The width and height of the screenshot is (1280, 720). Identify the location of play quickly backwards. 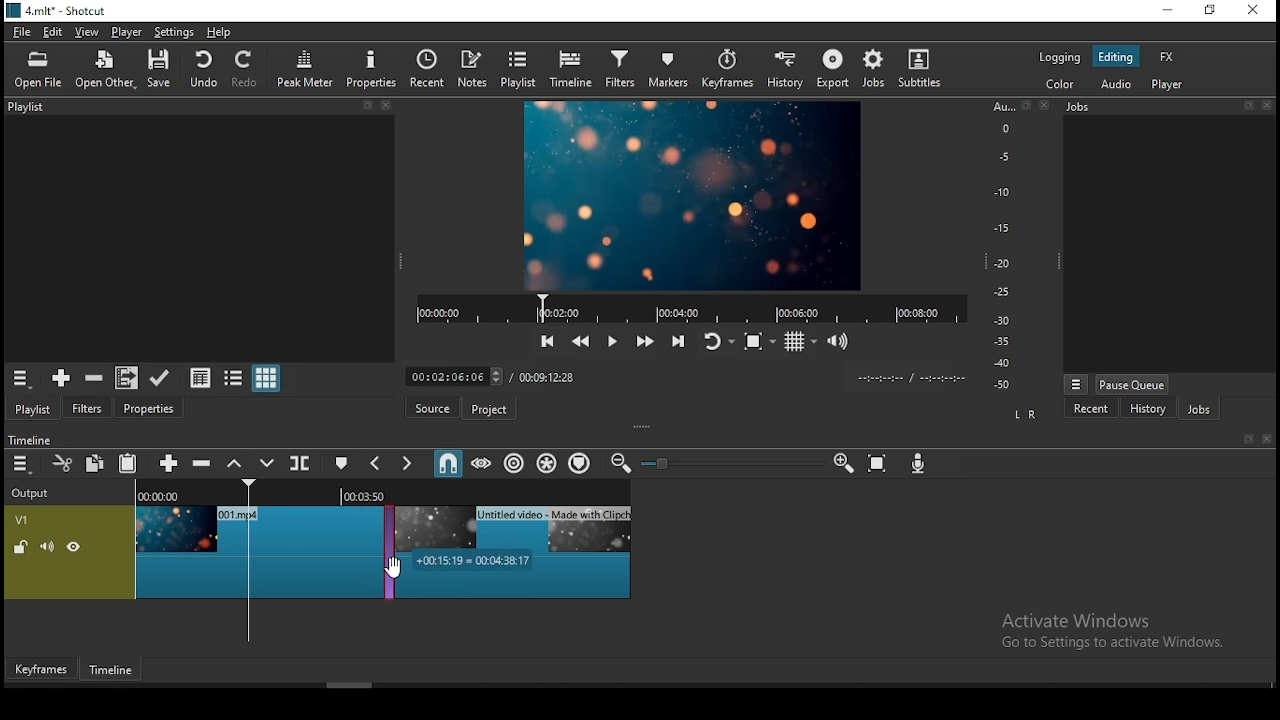
(579, 339).